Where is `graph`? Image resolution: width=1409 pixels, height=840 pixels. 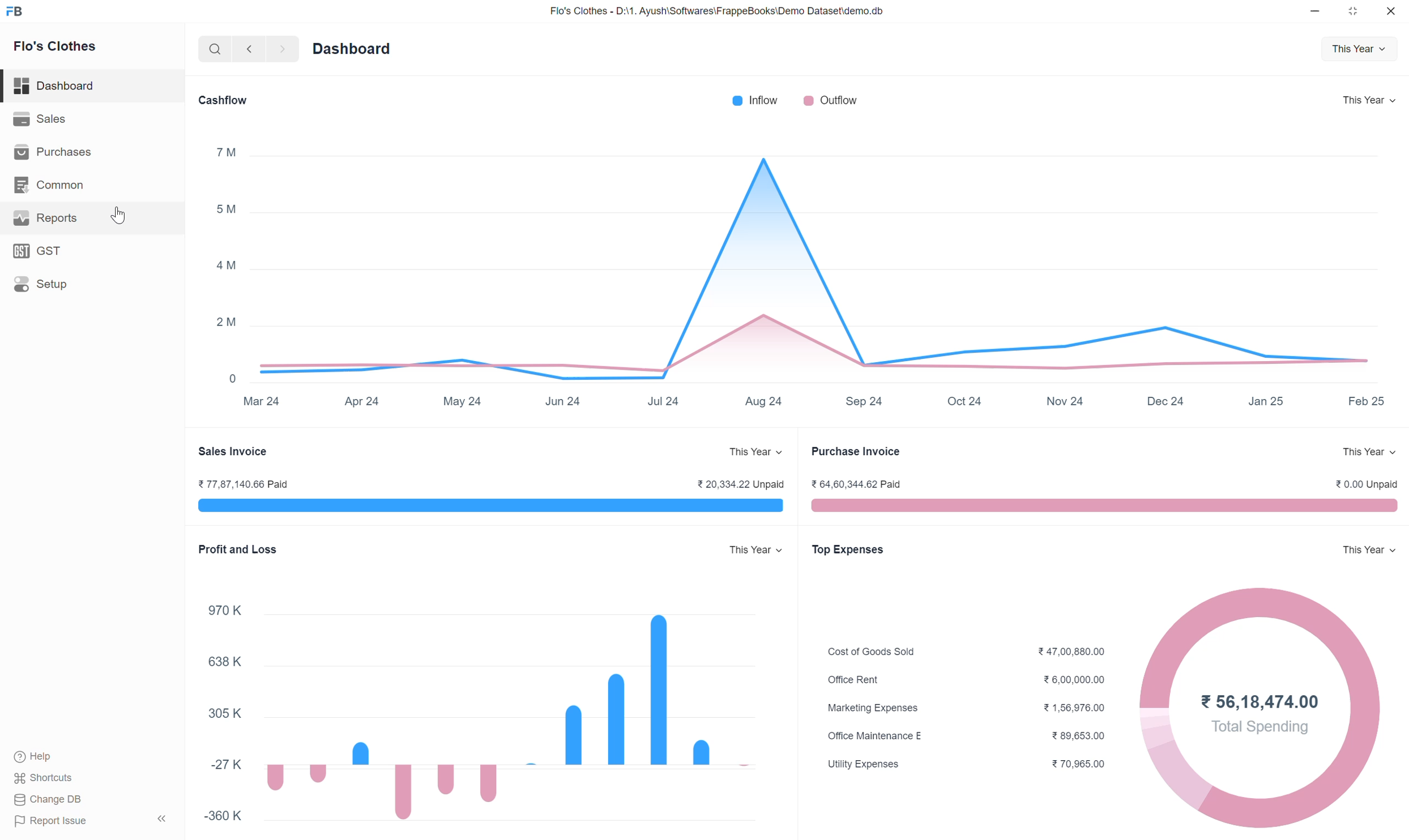
graph is located at coordinates (827, 249).